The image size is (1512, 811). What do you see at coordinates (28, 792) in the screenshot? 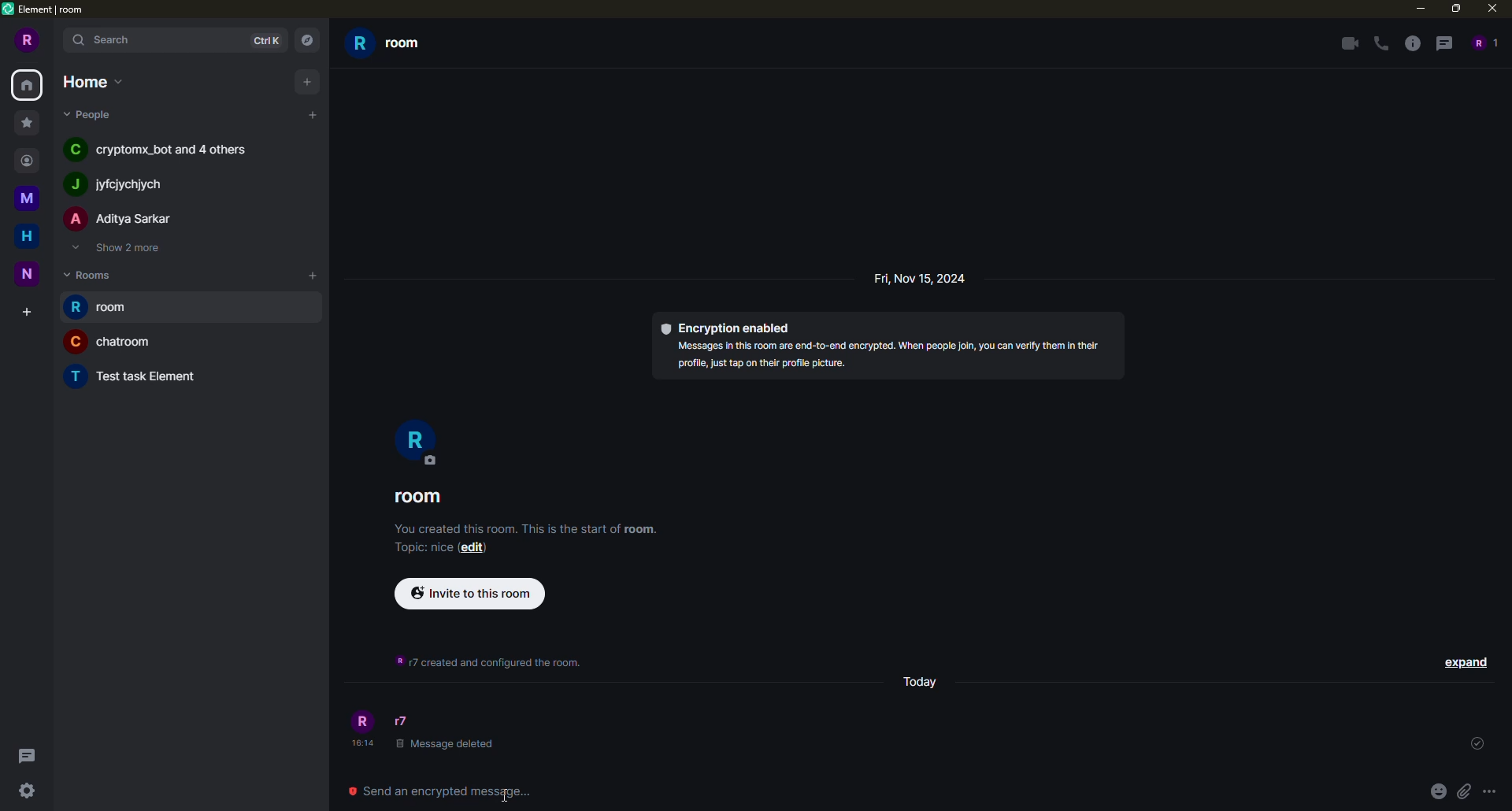
I see `quick settings` at bounding box center [28, 792].